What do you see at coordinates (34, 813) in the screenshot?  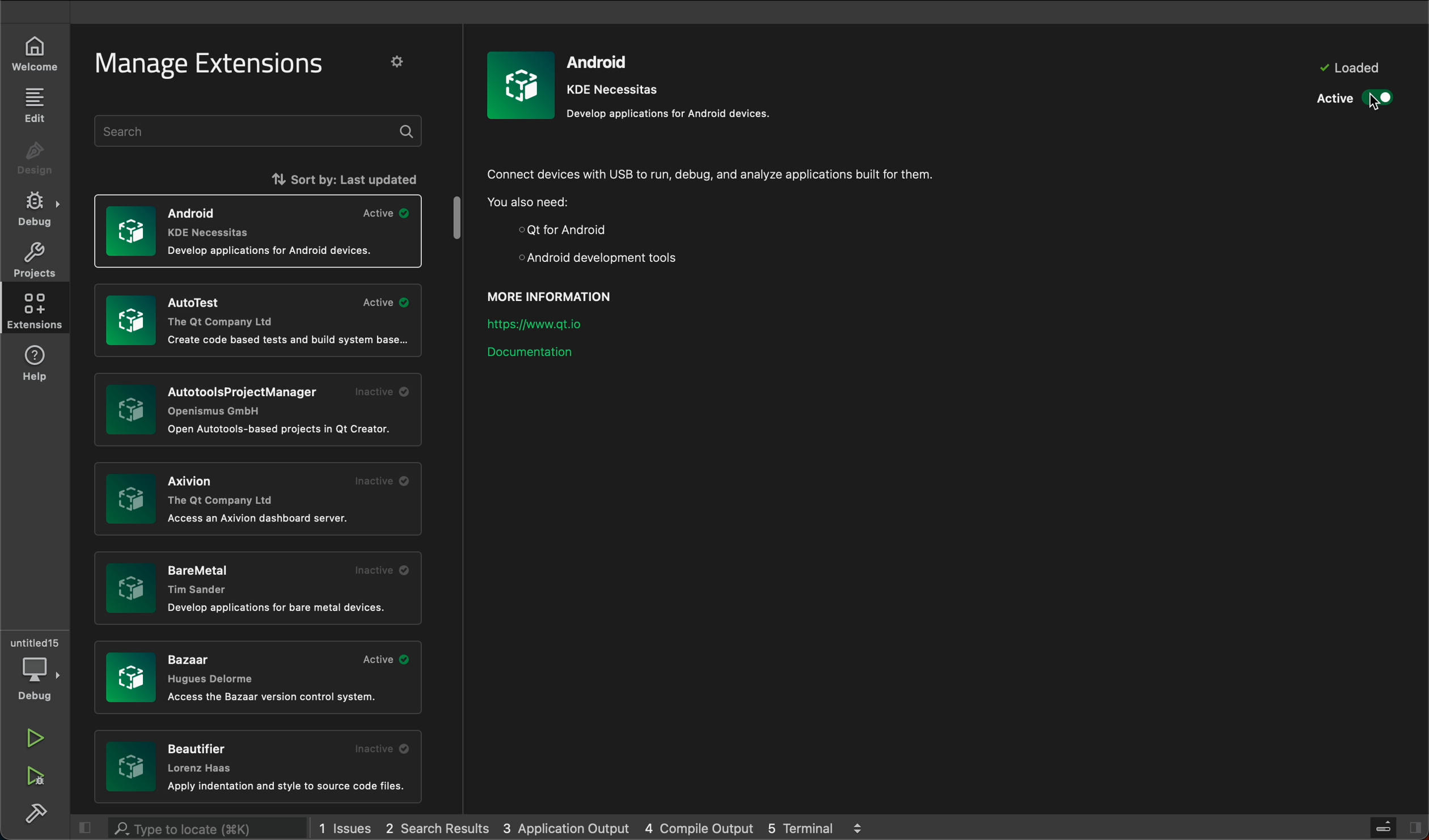 I see `build` at bounding box center [34, 813].